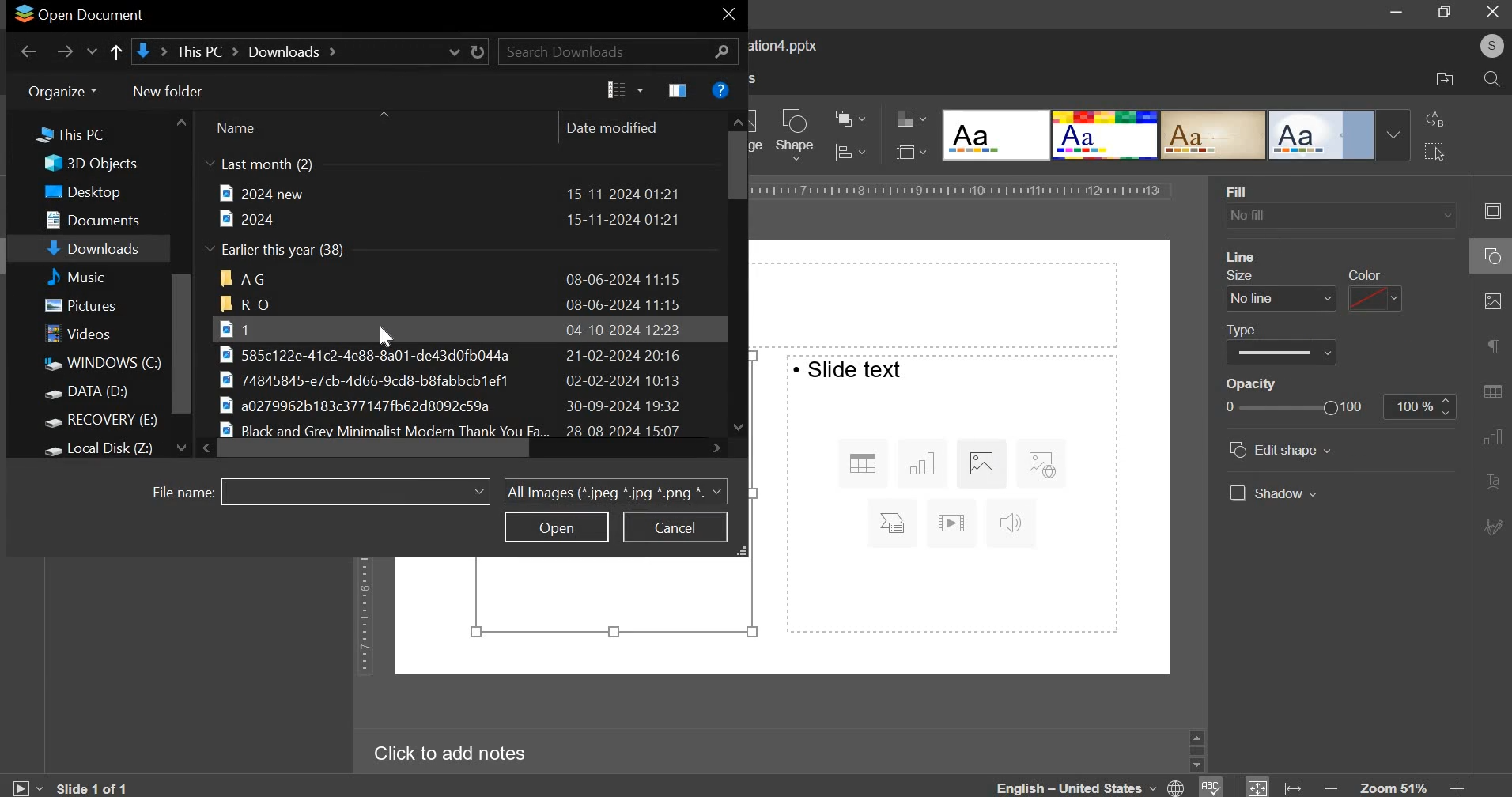  I want to click on fill color, so click(1253, 256).